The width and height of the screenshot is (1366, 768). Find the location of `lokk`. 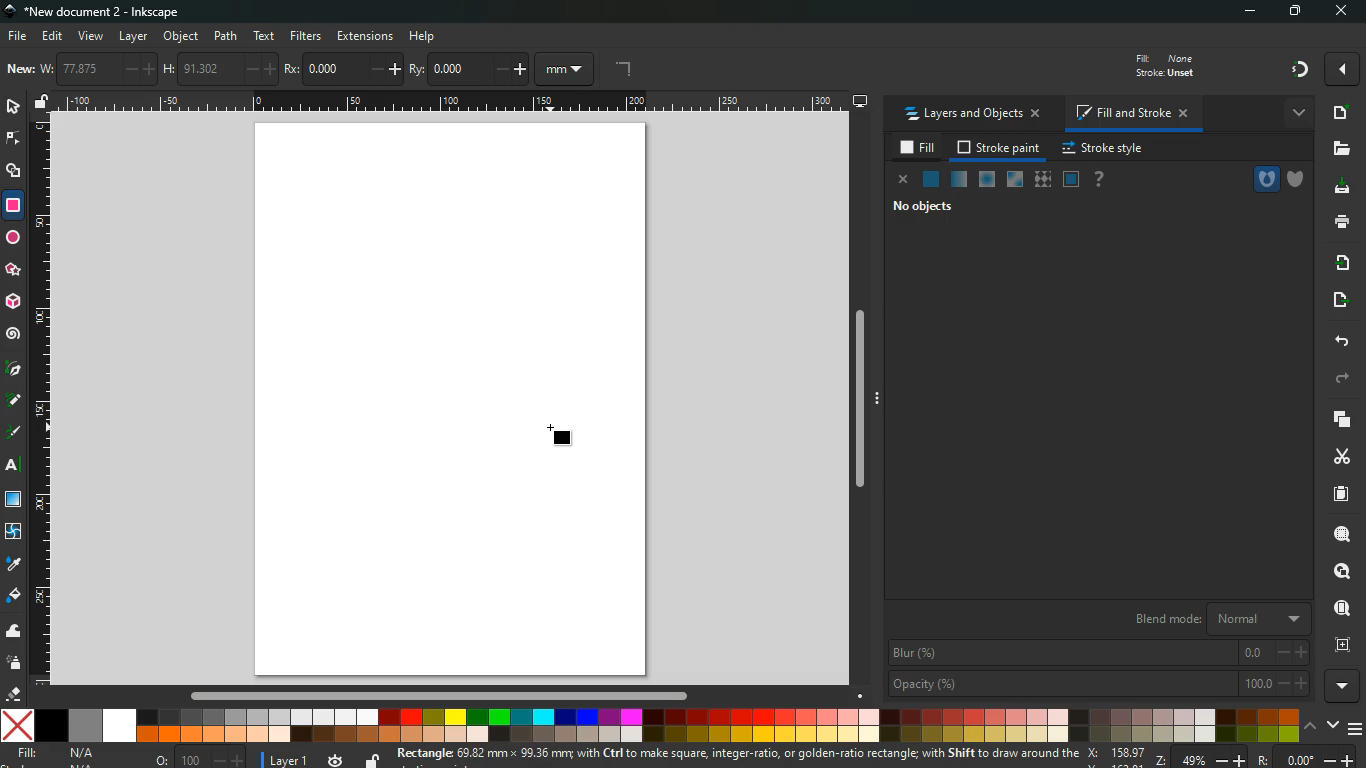

lokk is located at coordinates (1340, 569).